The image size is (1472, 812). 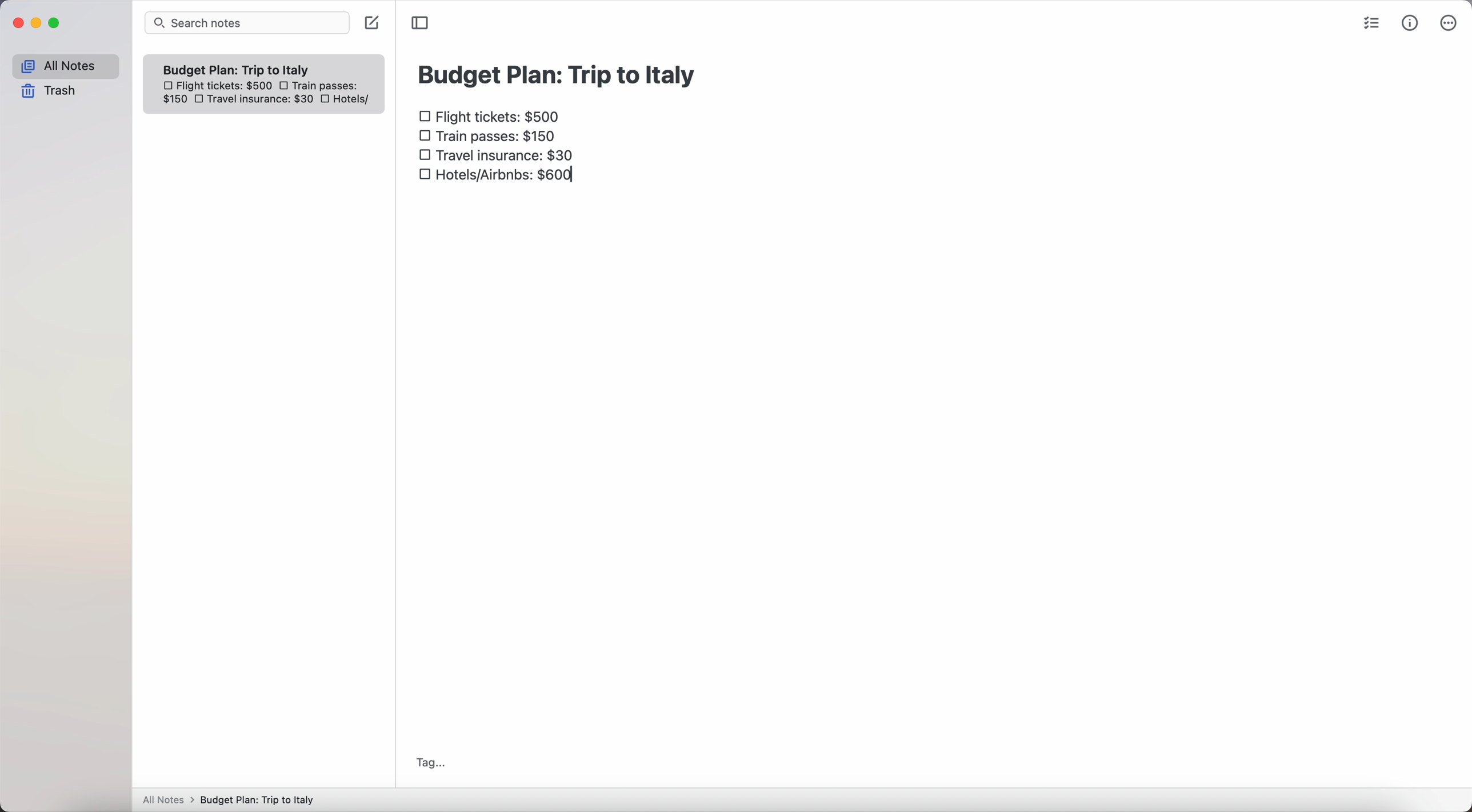 What do you see at coordinates (174, 101) in the screenshot?
I see `150` at bounding box center [174, 101].